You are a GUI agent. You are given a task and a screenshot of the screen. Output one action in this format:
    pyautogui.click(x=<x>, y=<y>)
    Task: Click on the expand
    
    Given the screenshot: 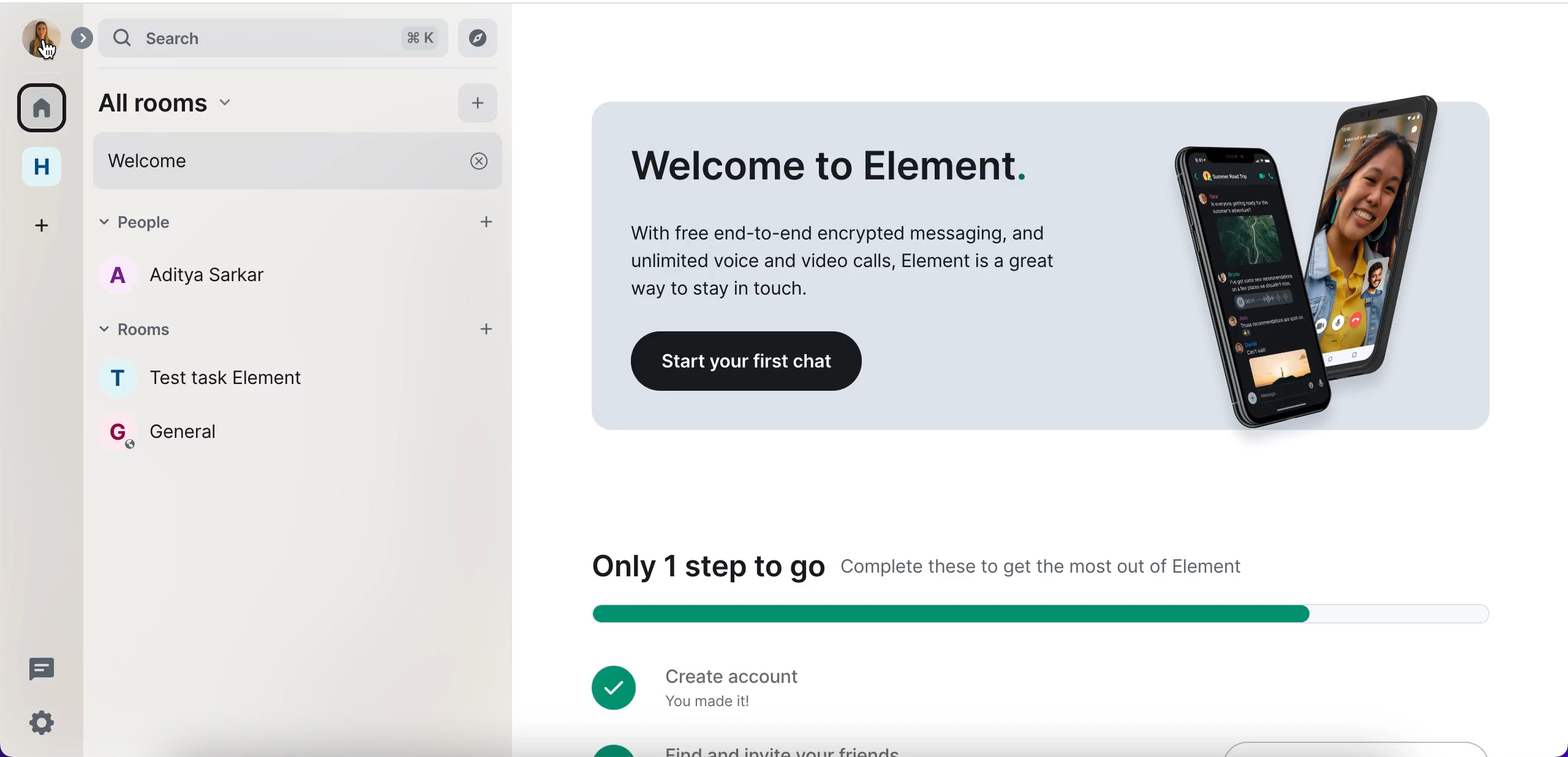 What is the action you would take?
    pyautogui.click(x=82, y=36)
    